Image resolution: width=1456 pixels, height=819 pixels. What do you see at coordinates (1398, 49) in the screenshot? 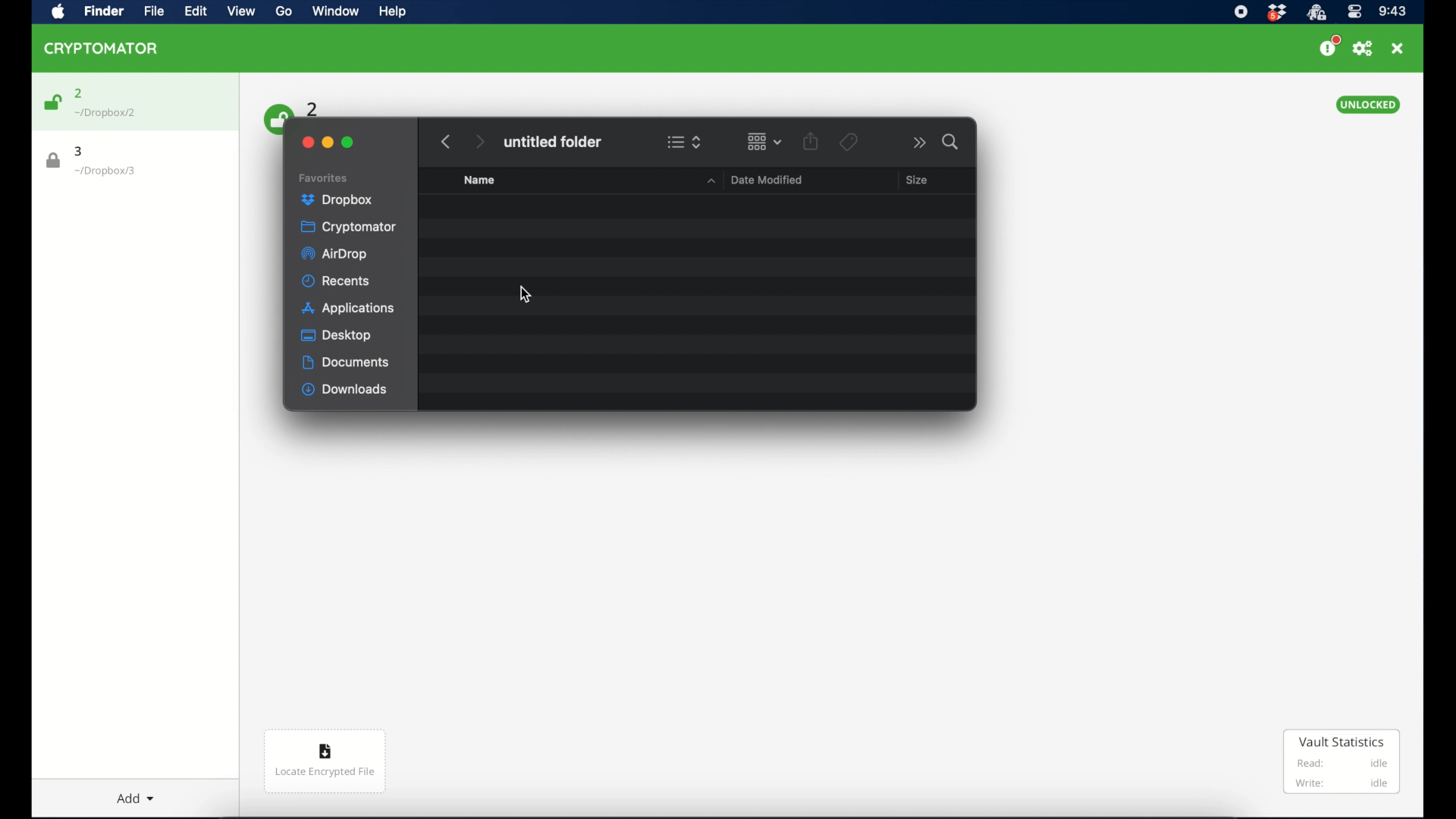
I see `close` at bounding box center [1398, 49].